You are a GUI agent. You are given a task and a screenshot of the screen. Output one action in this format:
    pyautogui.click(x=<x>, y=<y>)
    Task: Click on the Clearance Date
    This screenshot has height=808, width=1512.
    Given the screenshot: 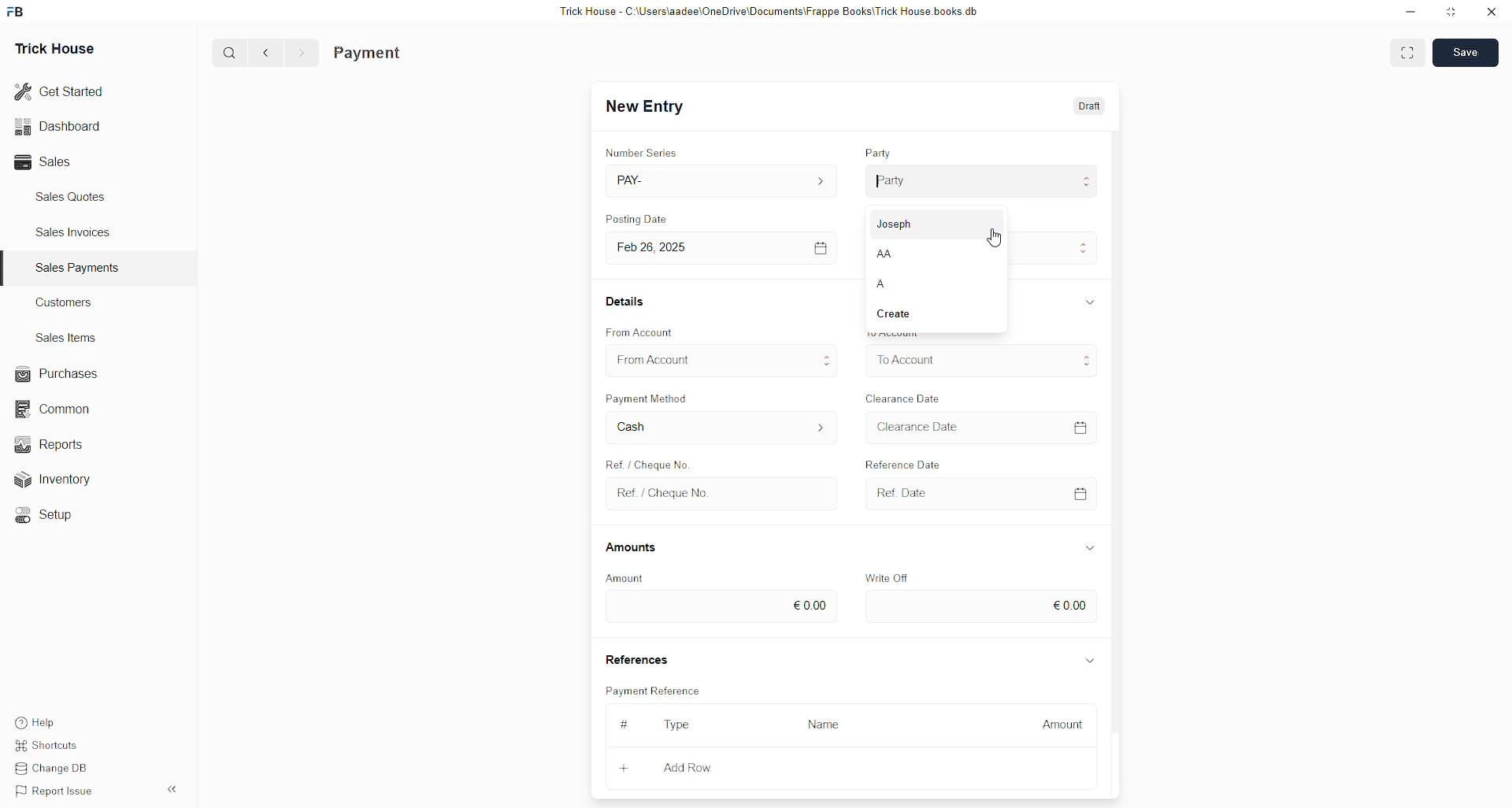 What is the action you would take?
    pyautogui.click(x=981, y=427)
    